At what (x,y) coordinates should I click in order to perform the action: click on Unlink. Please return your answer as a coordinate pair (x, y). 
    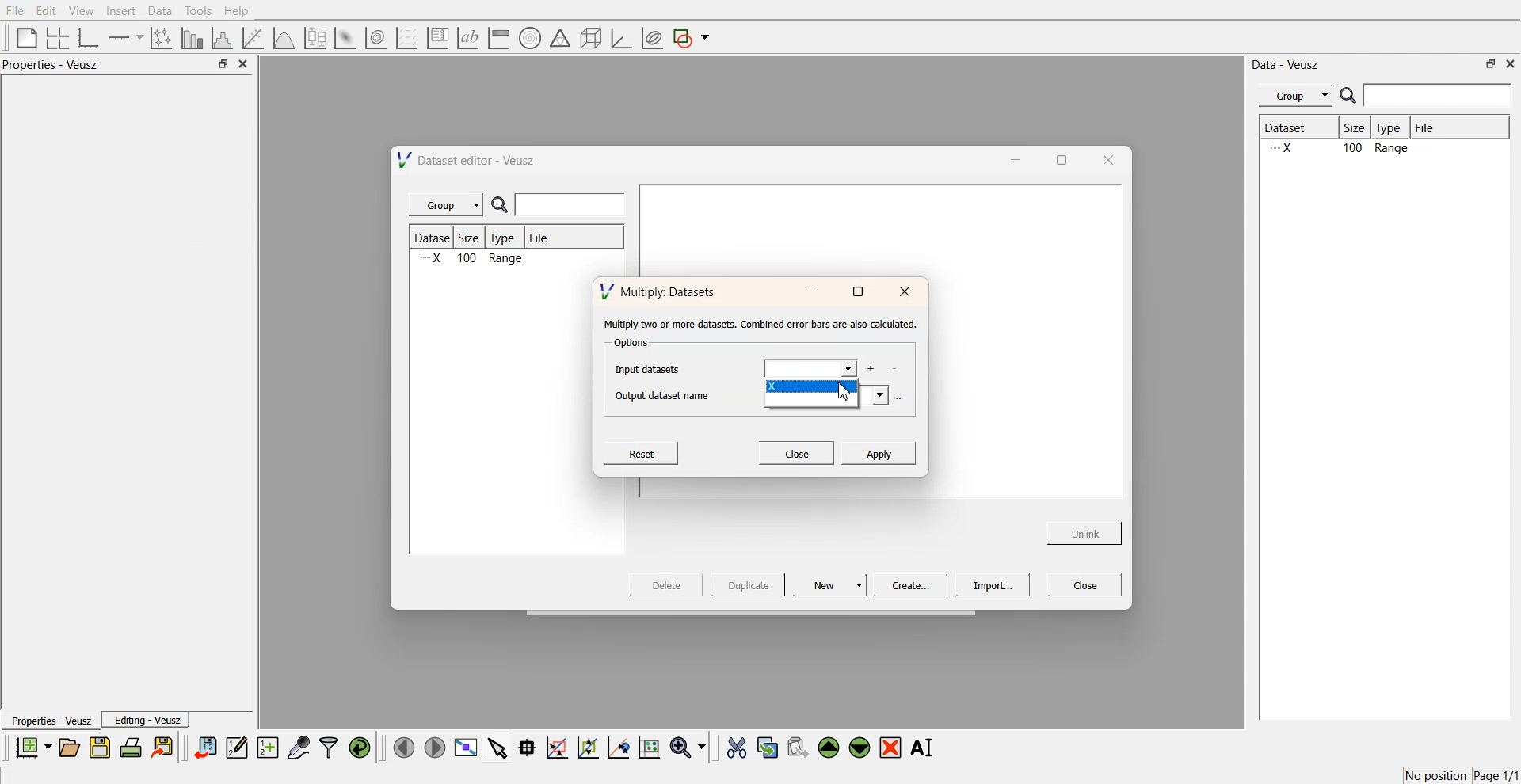
    Looking at the image, I should click on (1085, 531).